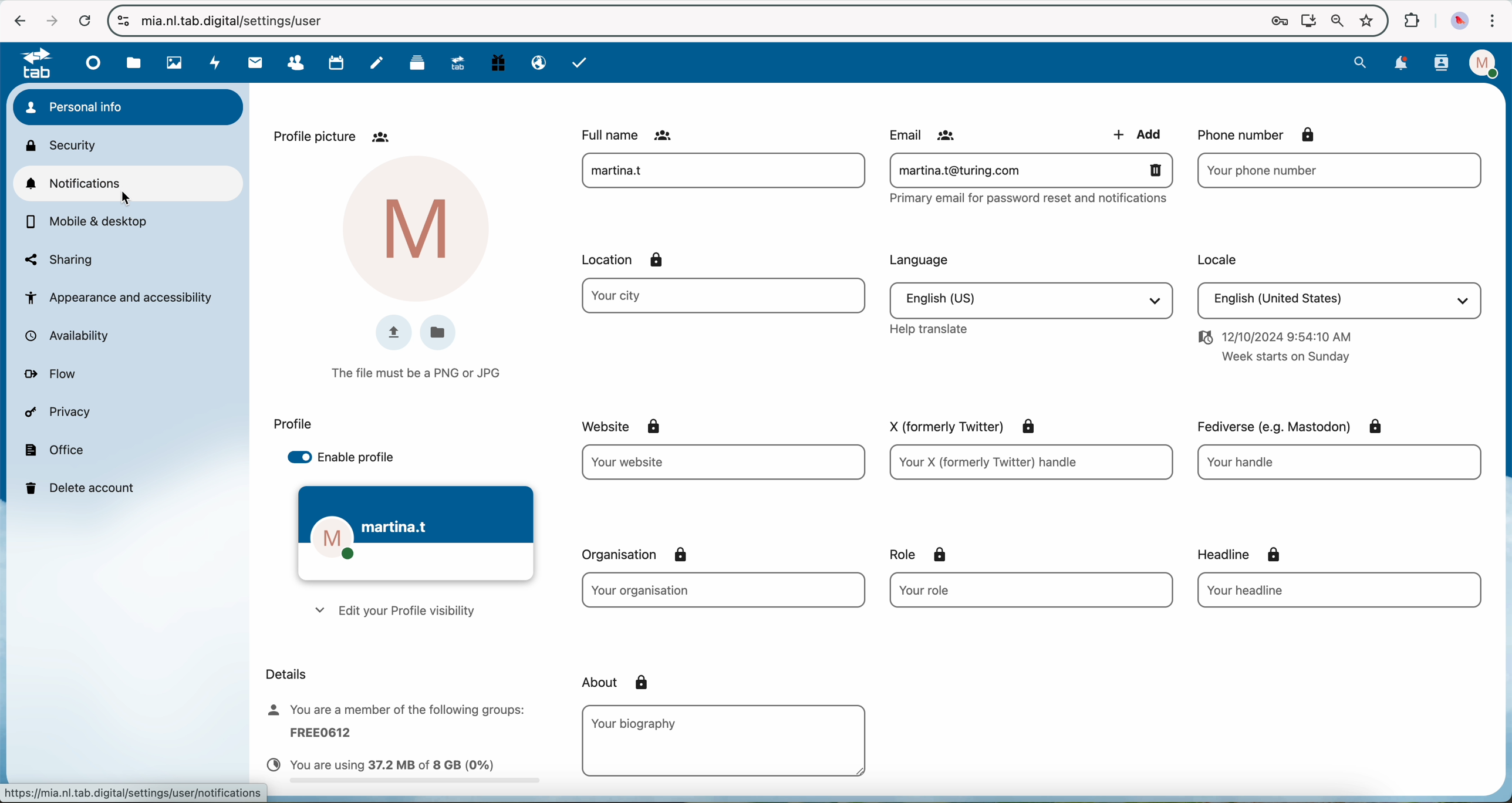 Image resolution: width=1512 pixels, height=803 pixels. What do you see at coordinates (214, 63) in the screenshot?
I see `activity` at bounding box center [214, 63].